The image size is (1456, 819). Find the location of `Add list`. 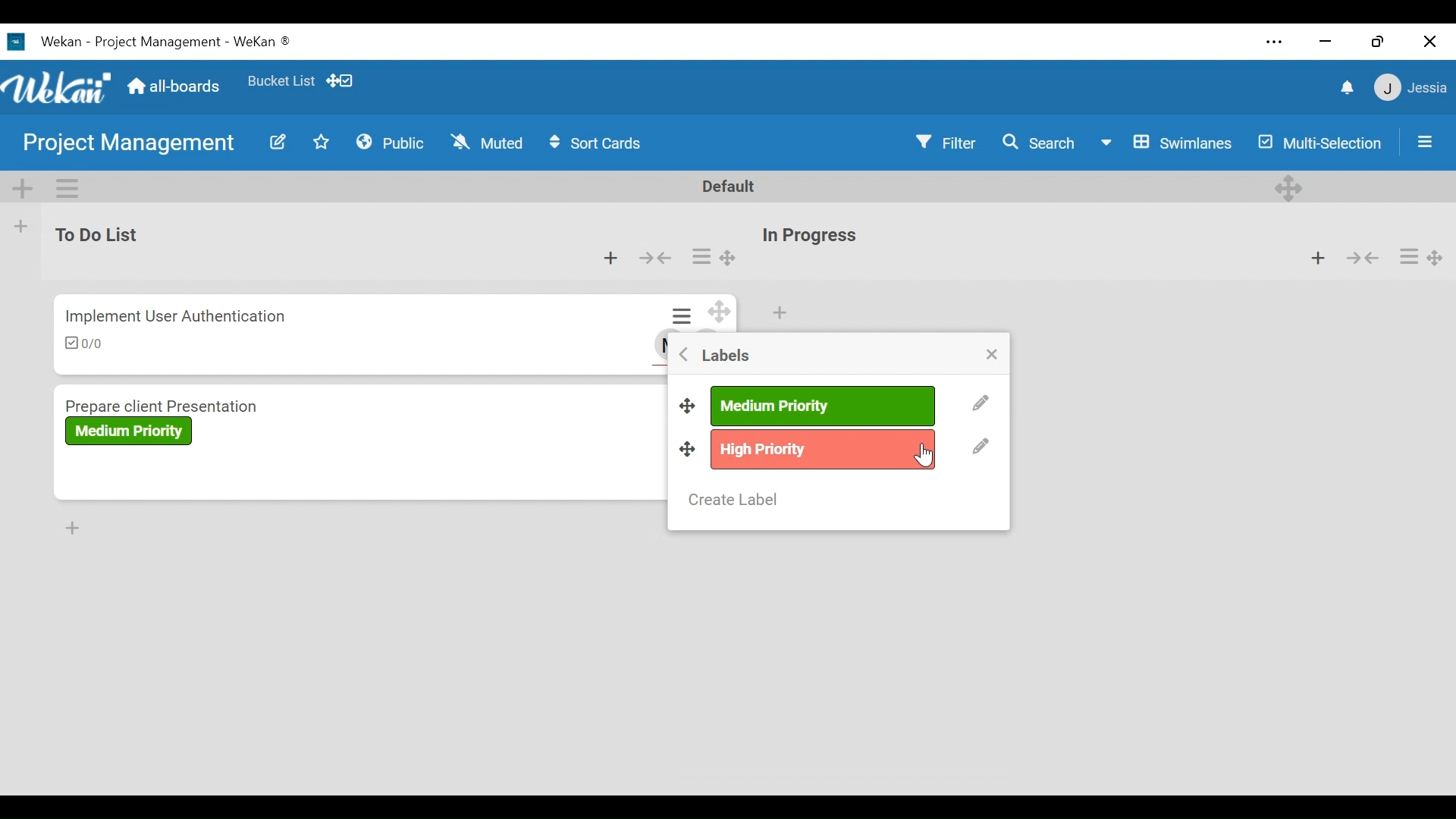

Add list is located at coordinates (21, 226).